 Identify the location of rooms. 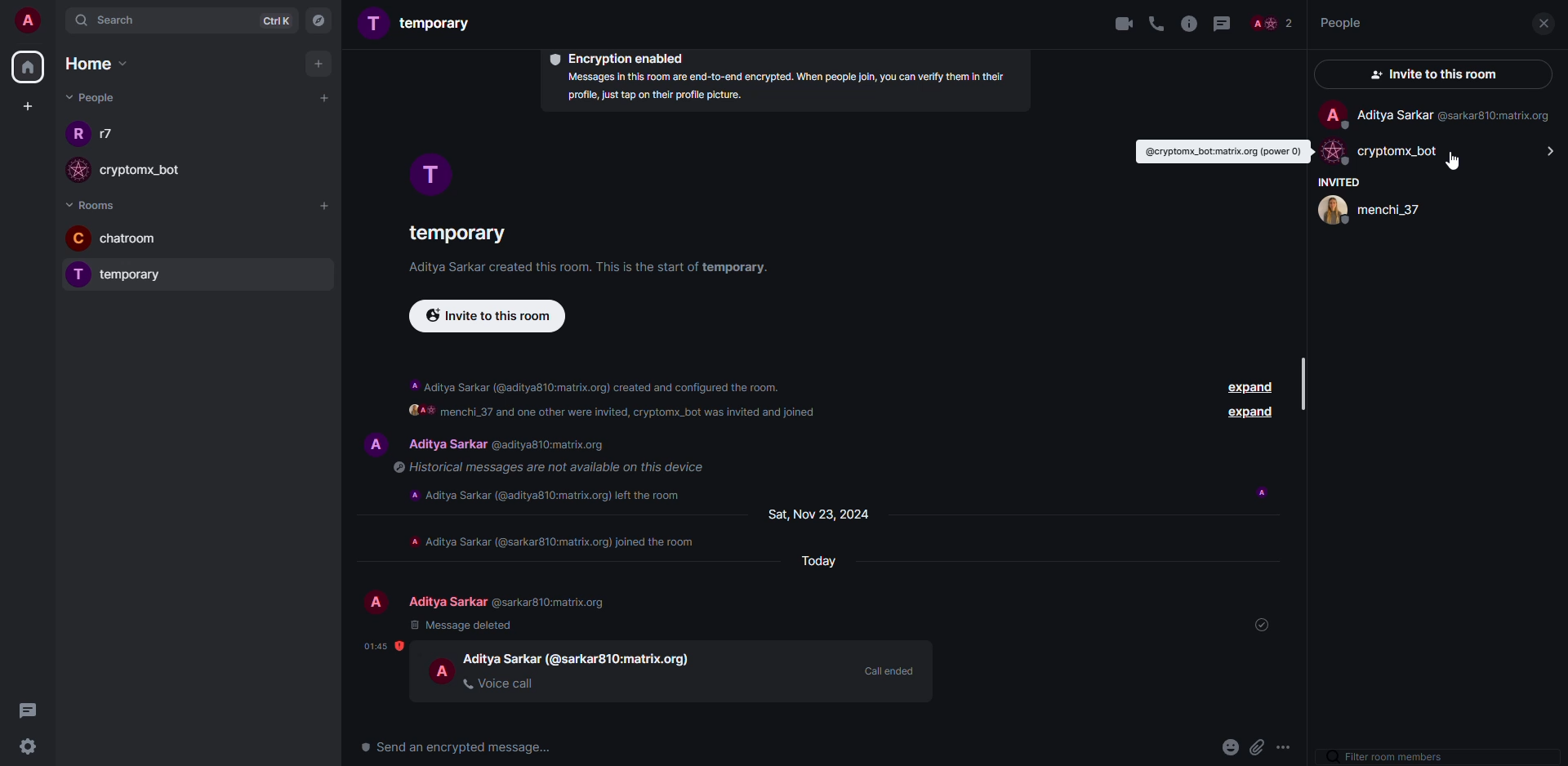
(96, 204).